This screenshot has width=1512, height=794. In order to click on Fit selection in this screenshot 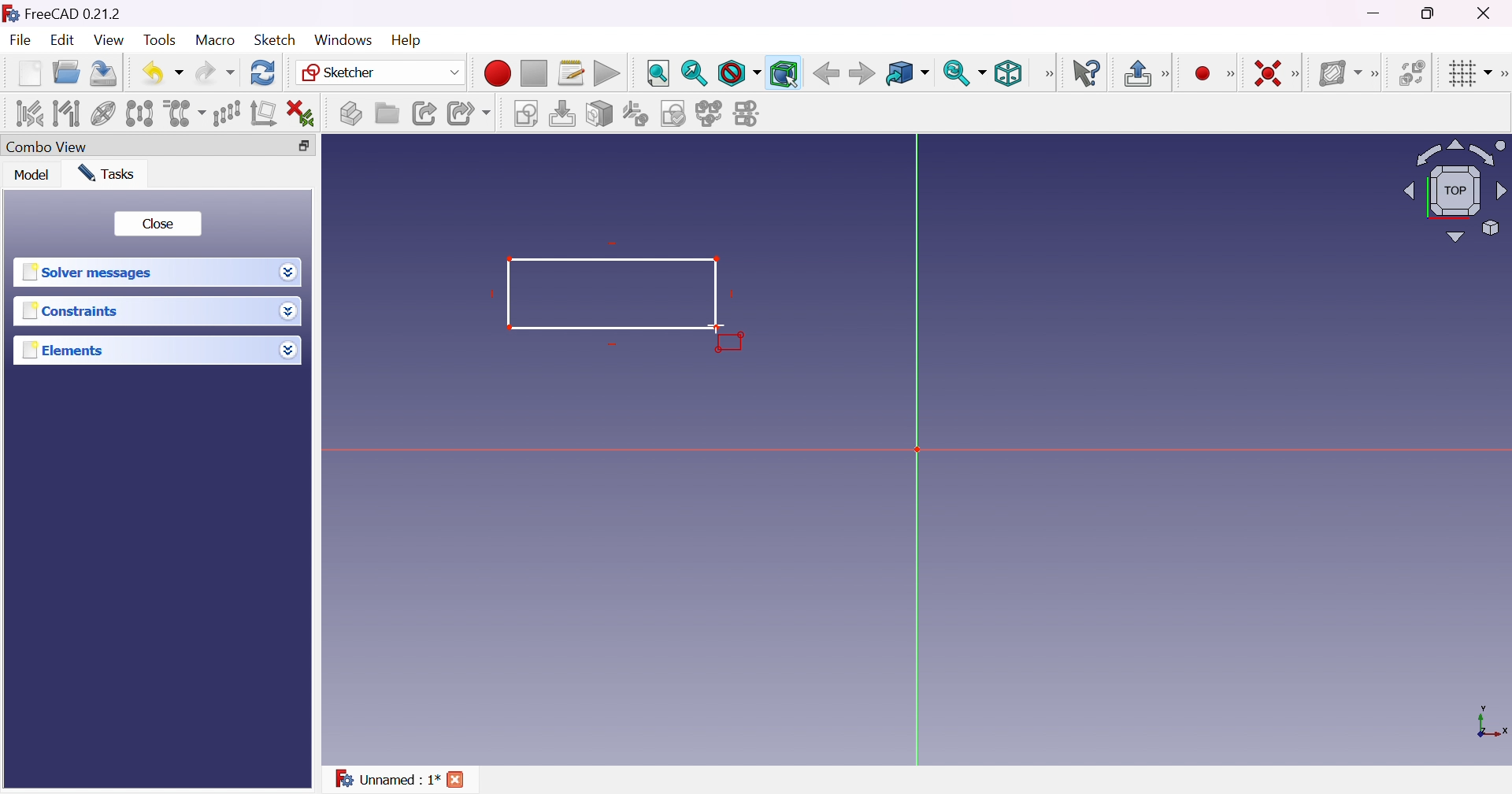, I will do `click(694, 73)`.